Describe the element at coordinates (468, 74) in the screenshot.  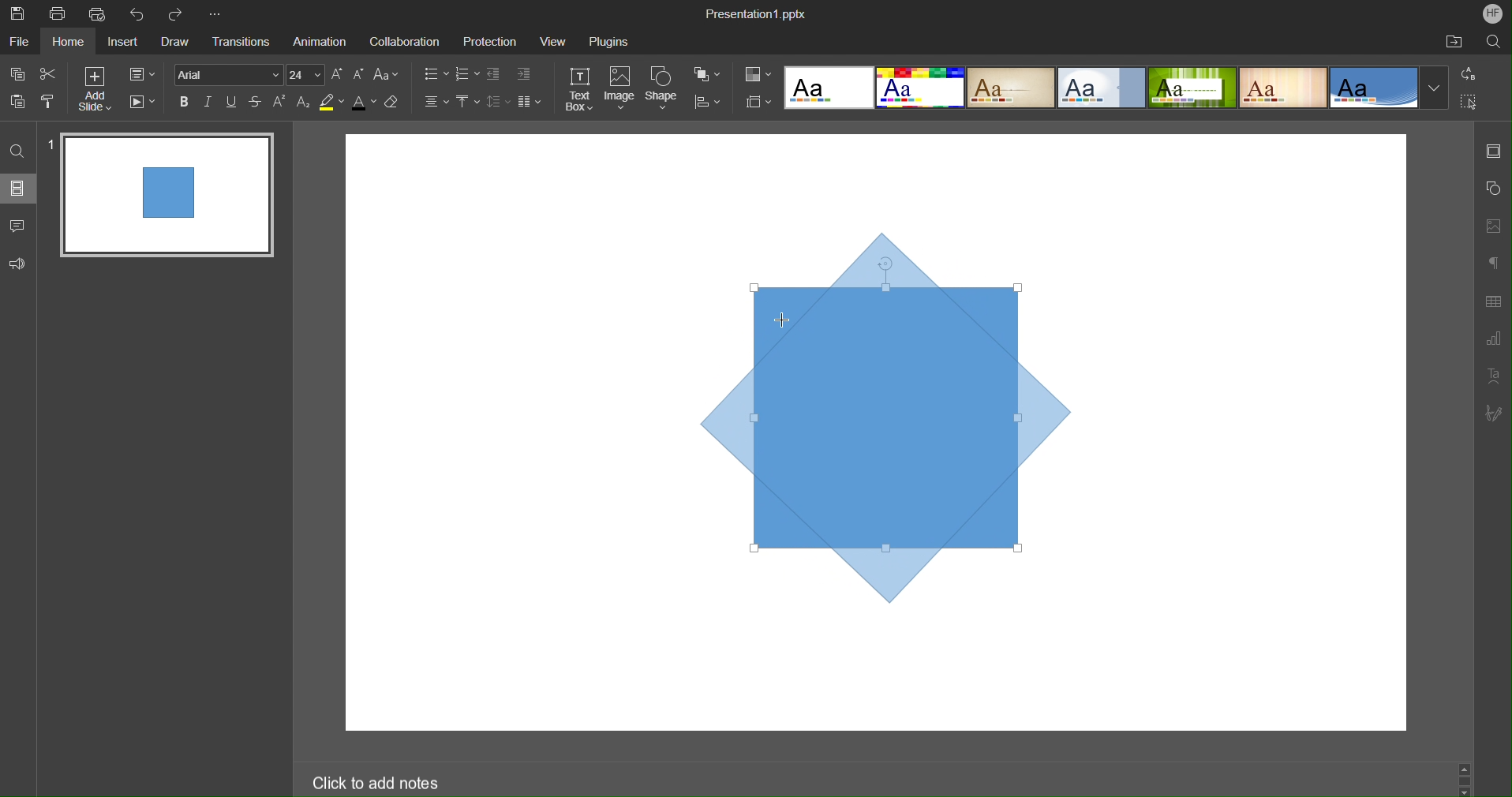
I see `Number List` at that location.